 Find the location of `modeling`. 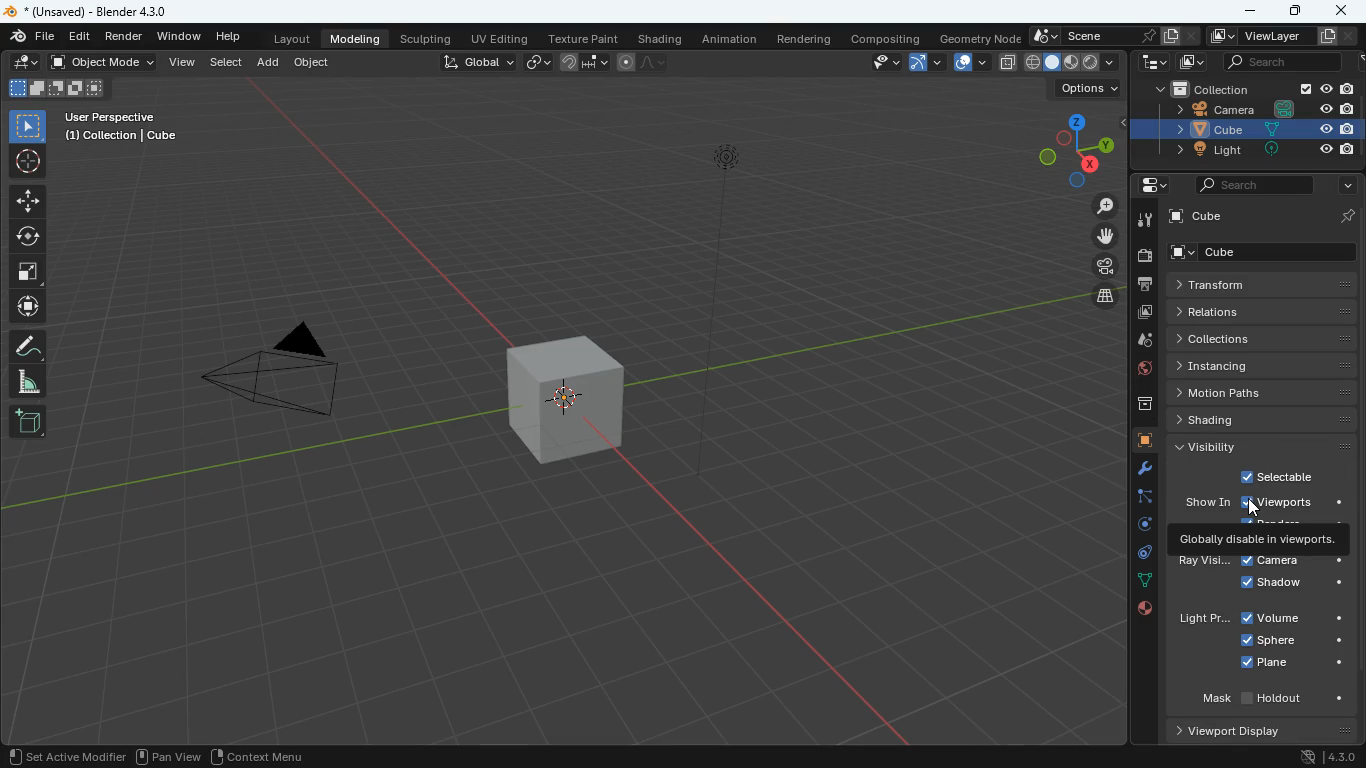

modeling is located at coordinates (356, 38).